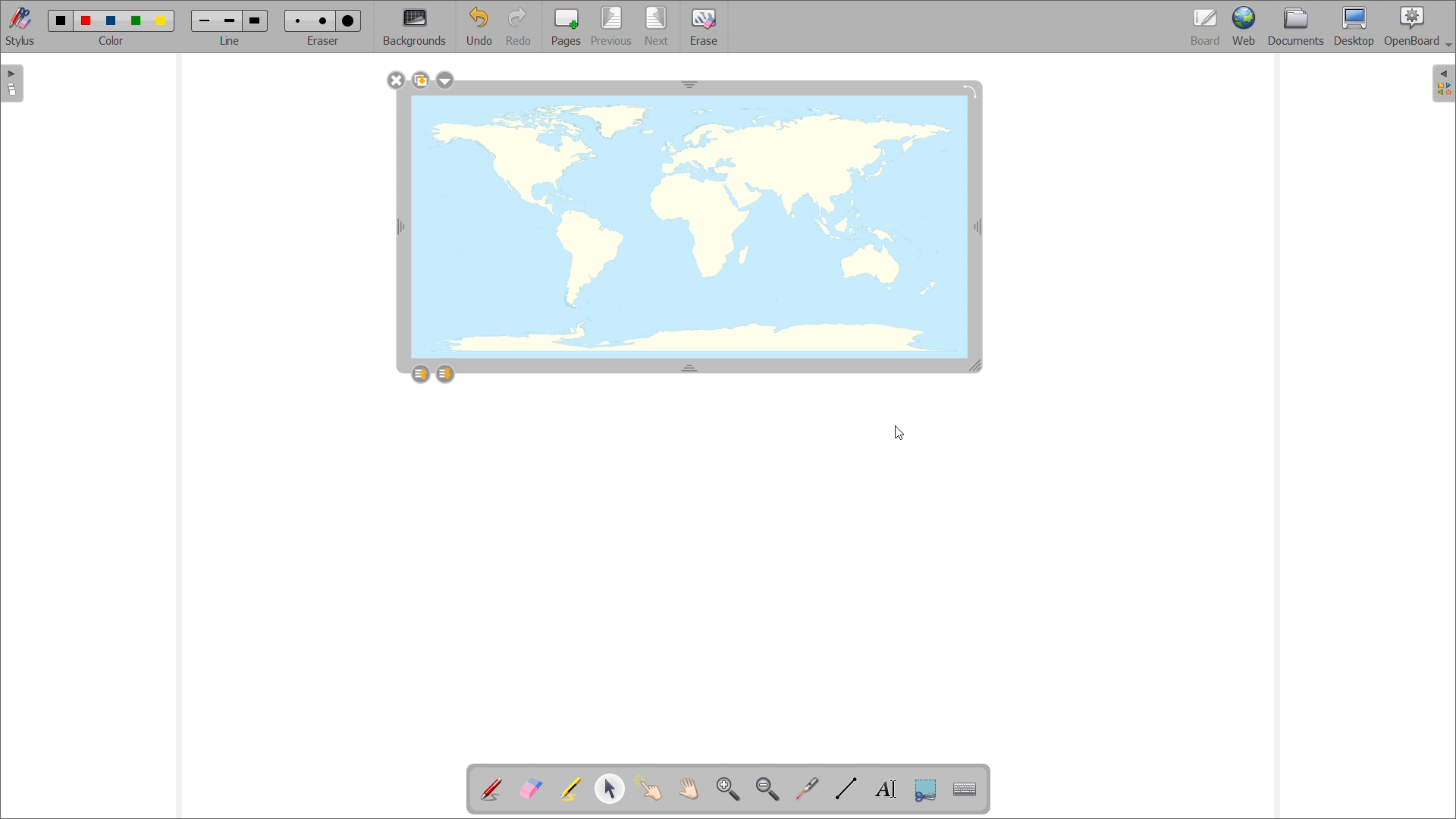  I want to click on previous page, so click(611, 27).